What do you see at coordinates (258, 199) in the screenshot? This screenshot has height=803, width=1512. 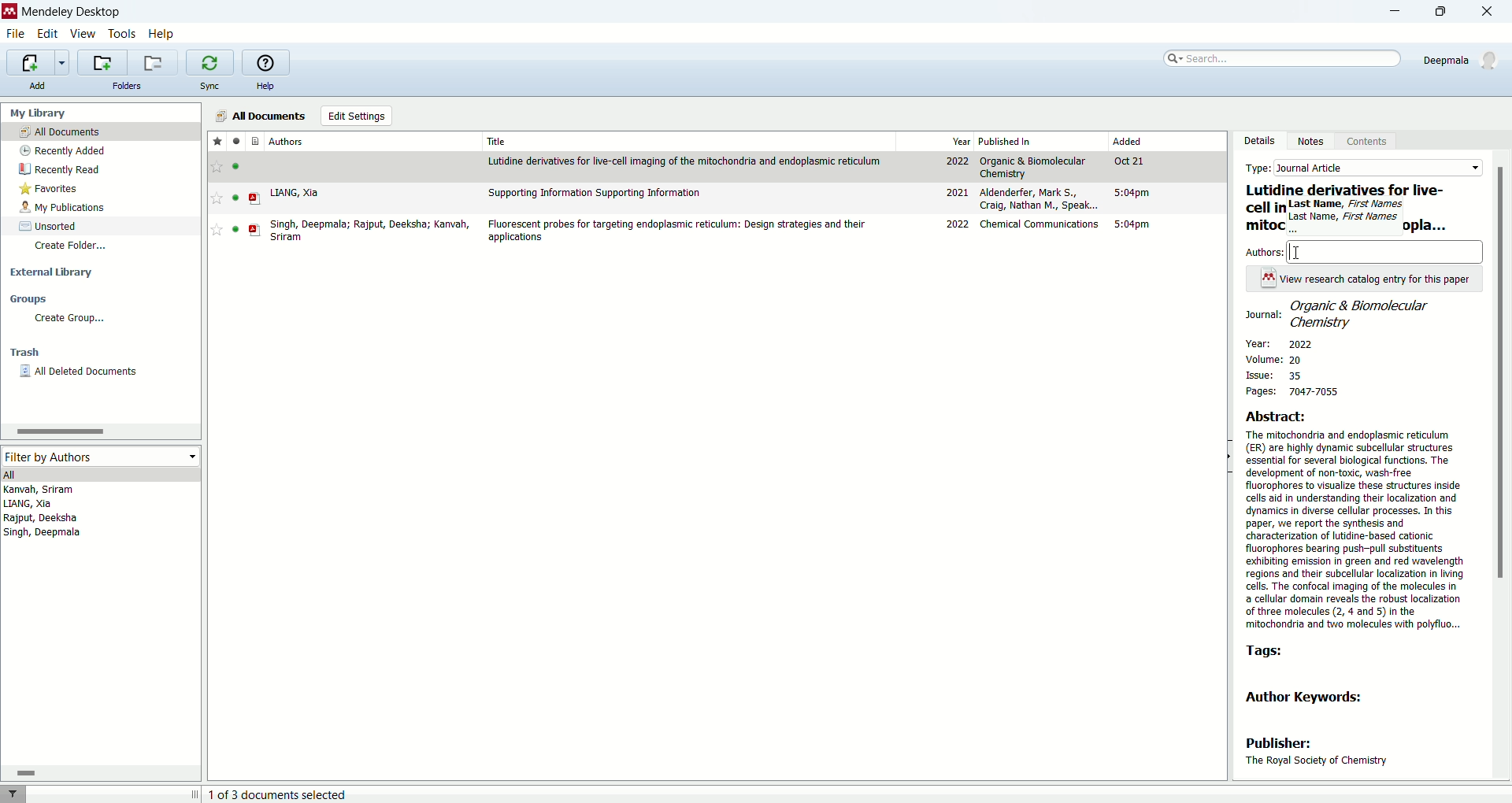 I see `PDF` at bounding box center [258, 199].